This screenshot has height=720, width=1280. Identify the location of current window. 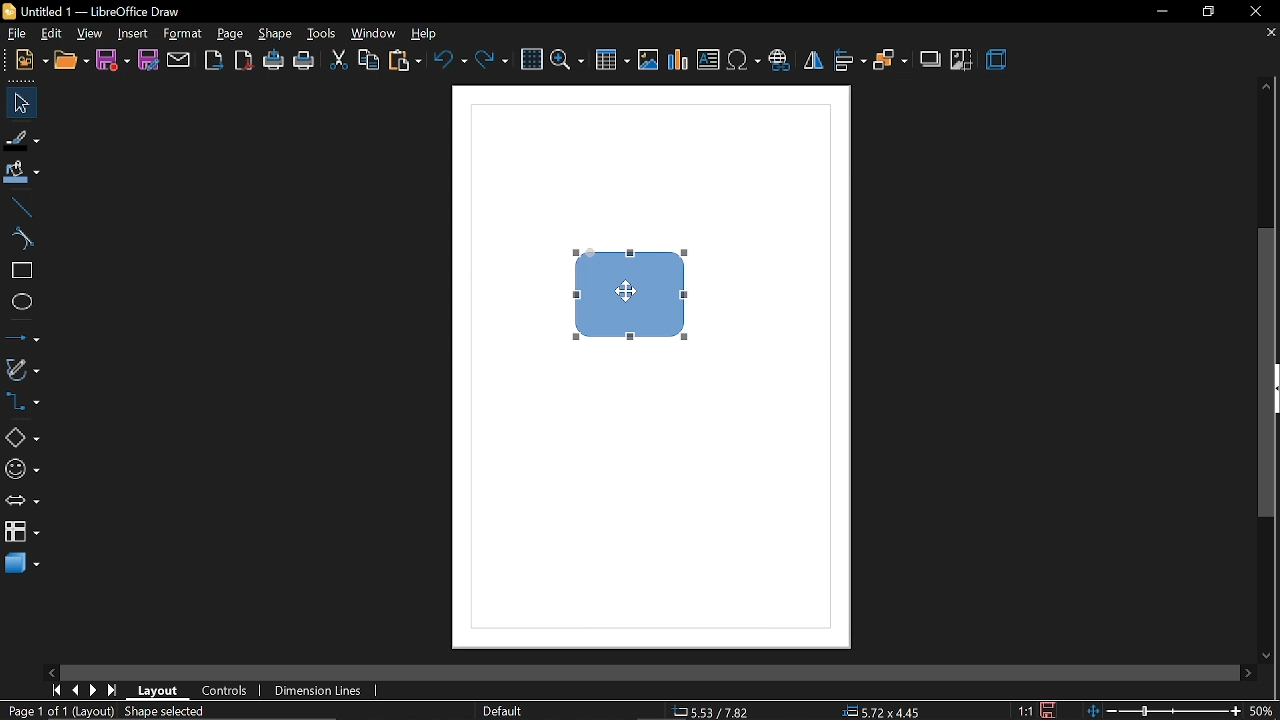
(93, 11).